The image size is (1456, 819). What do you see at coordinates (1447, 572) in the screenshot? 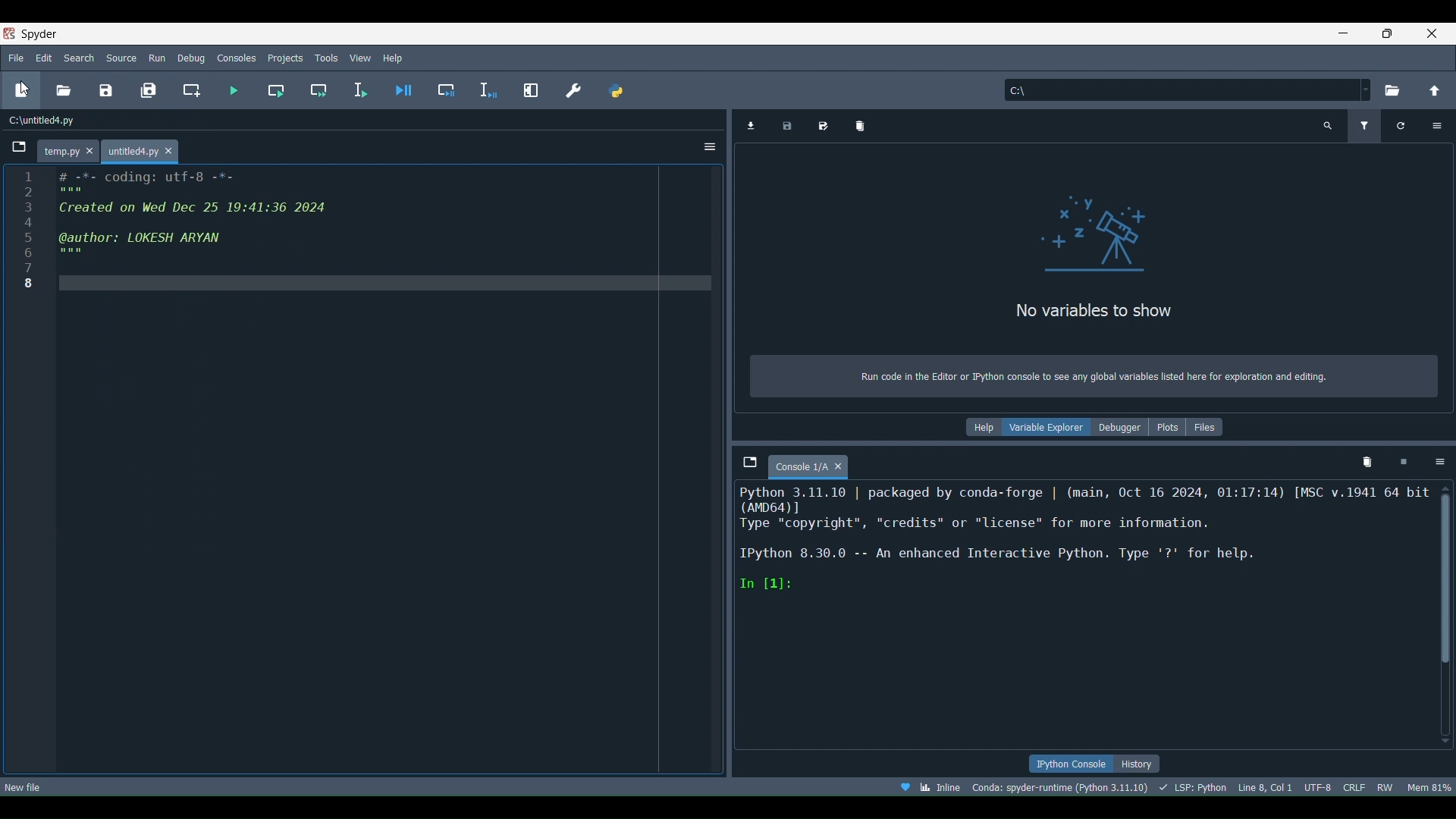
I see `Scrollbar` at bounding box center [1447, 572].